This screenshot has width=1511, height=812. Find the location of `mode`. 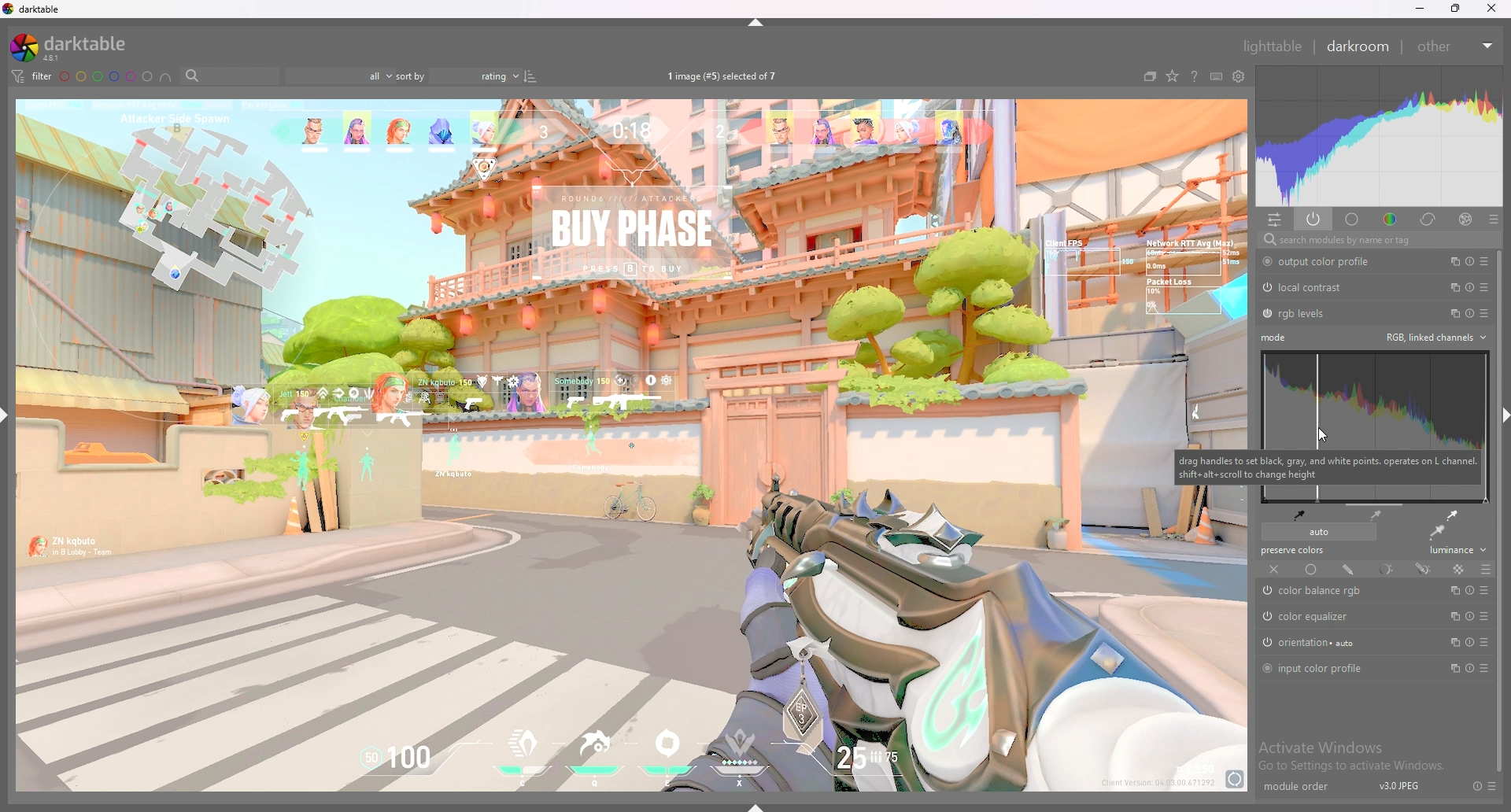

mode is located at coordinates (1276, 338).